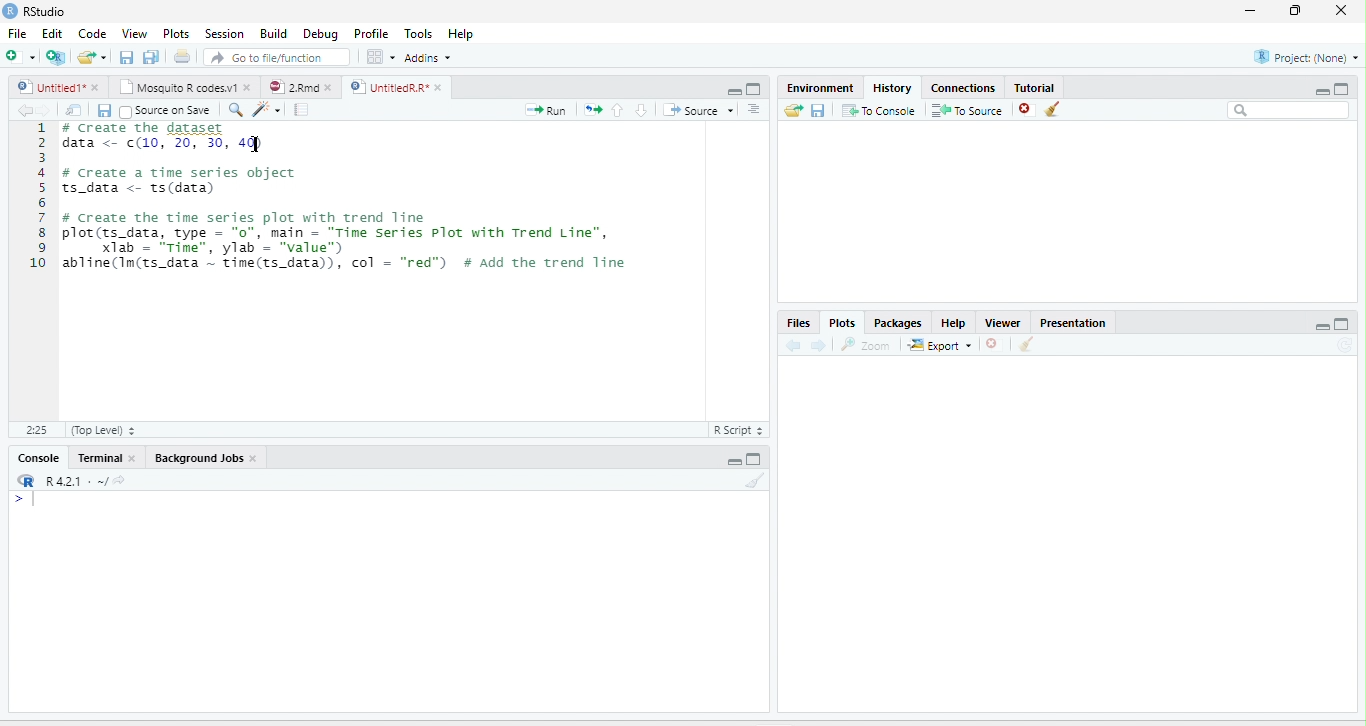  What do you see at coordinates (49, 87) in the screenshot?
I see `Untitled1*` at bounding box center [49, 87].